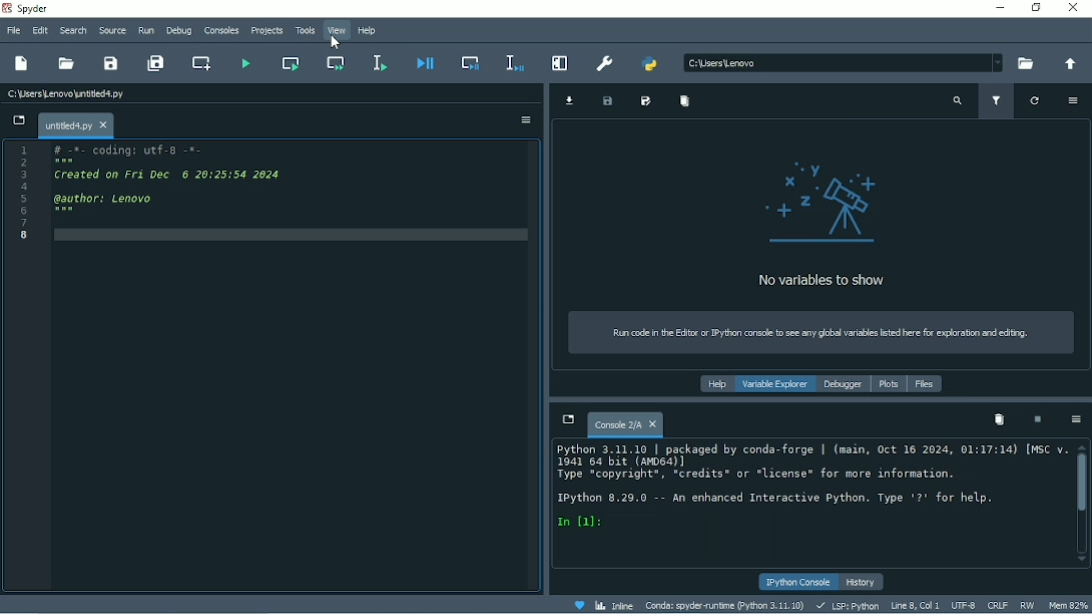  I want to click on Save data, so click(606, 102).